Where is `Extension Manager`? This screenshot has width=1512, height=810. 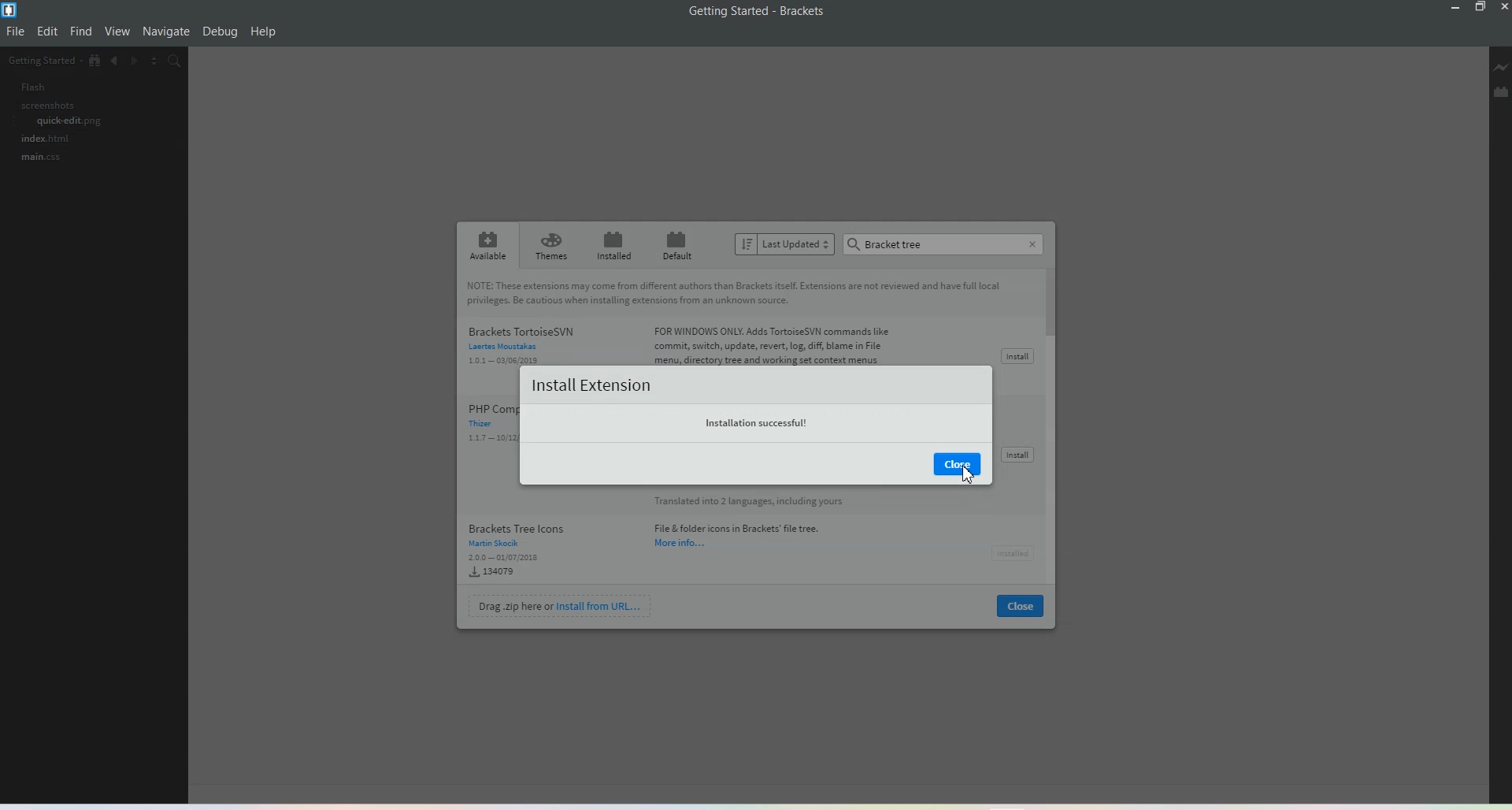
Extension Manager is located at coordinates (1501, 94).